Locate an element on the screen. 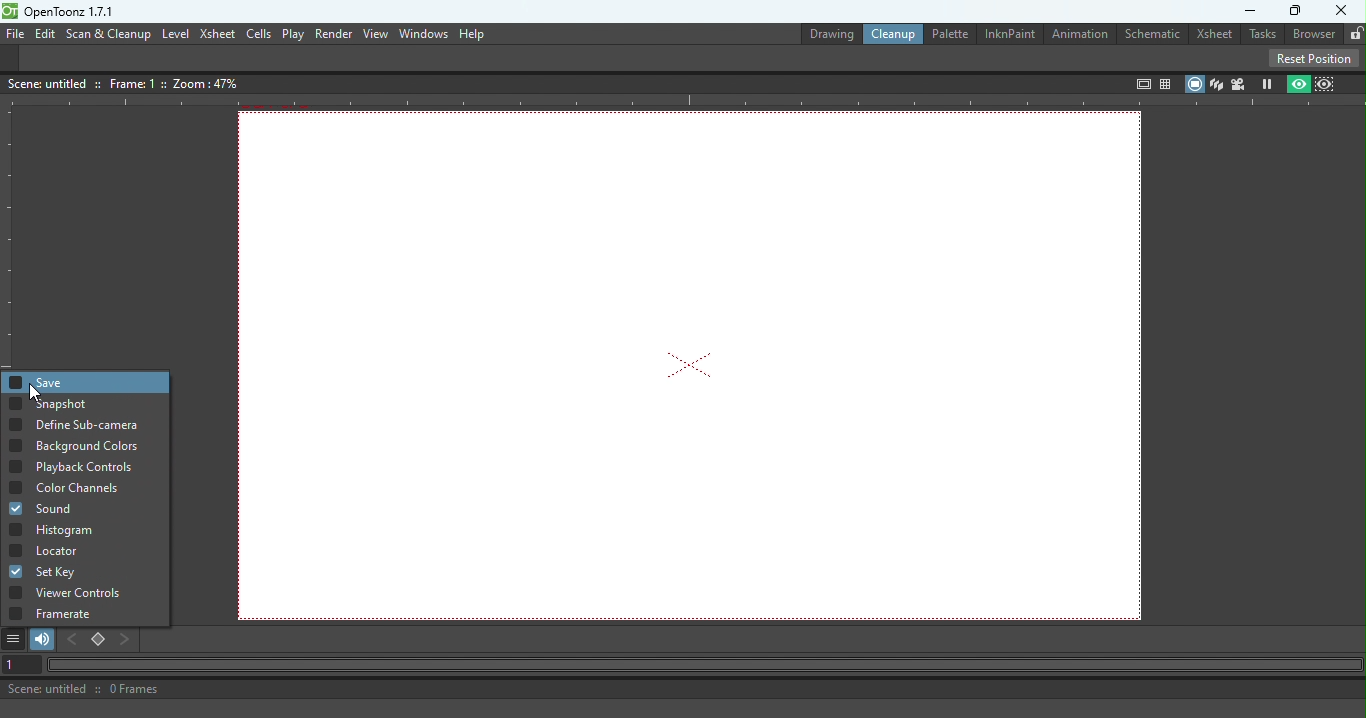 The image size is (1366, 718). Help is located at coordinates (473, 33).